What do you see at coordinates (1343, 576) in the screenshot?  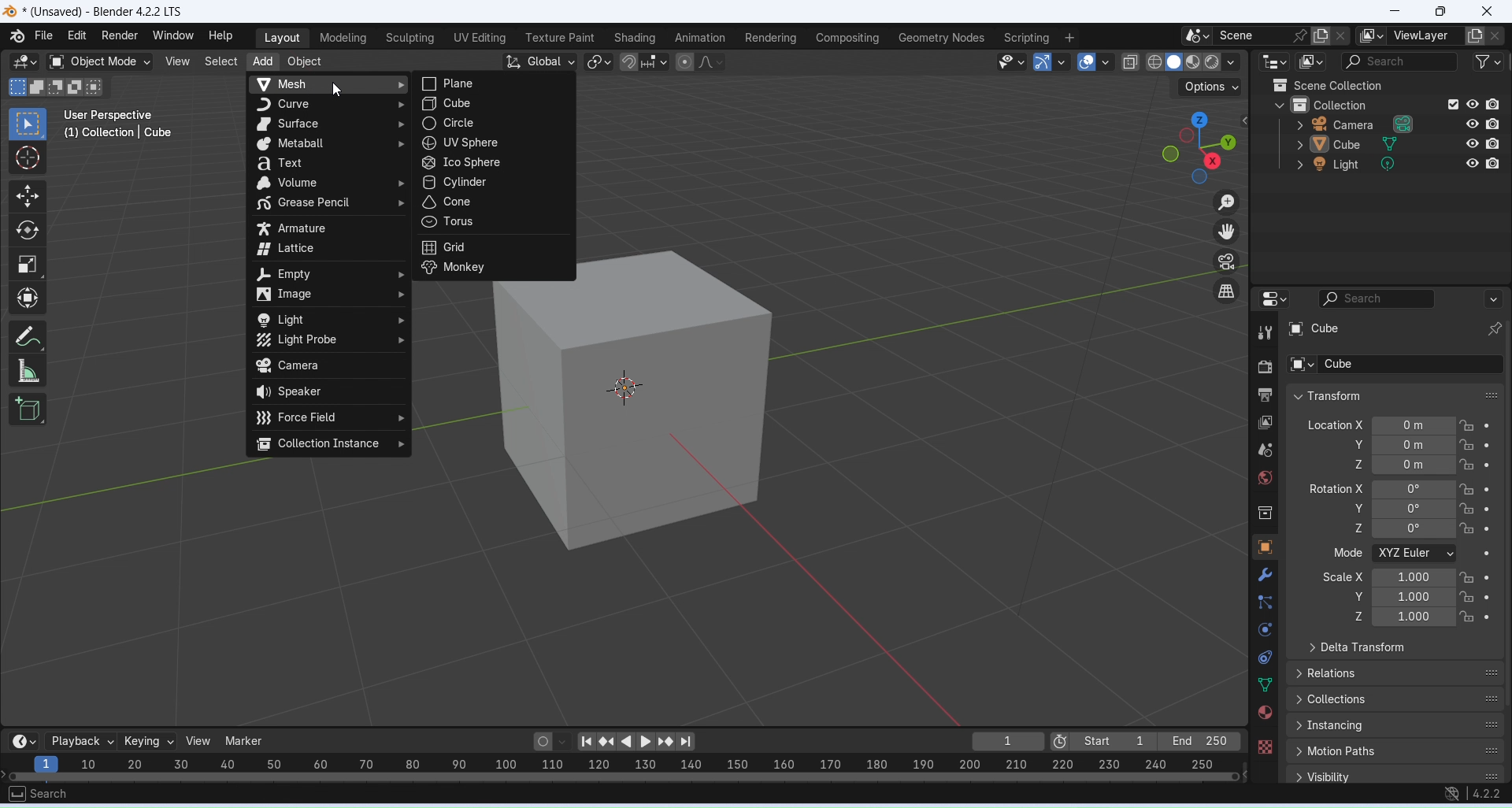 I see `Scale  X` at bounding box center [1343, 576].